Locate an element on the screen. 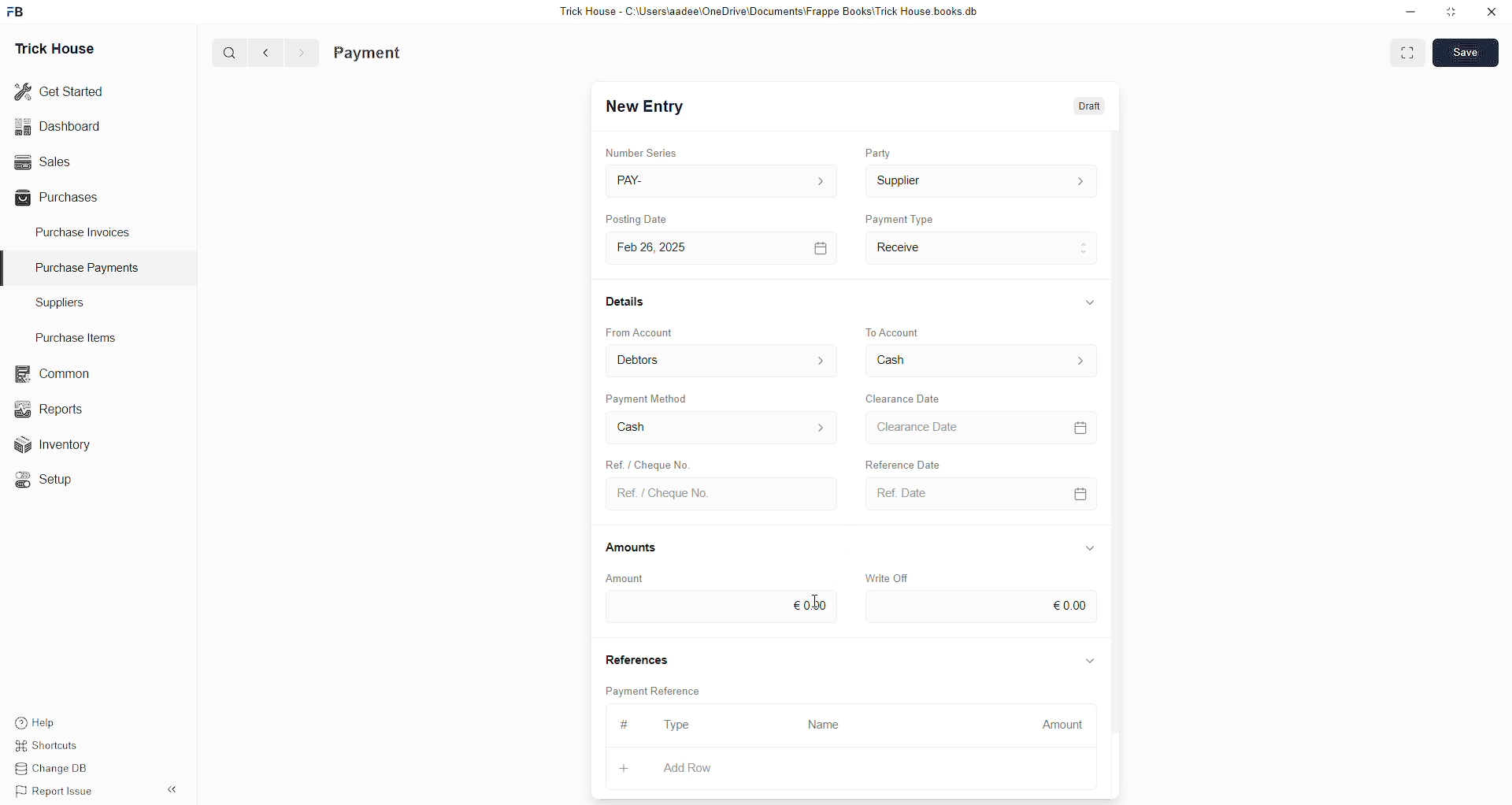  €0.00 is located at coordinates (980, 607).